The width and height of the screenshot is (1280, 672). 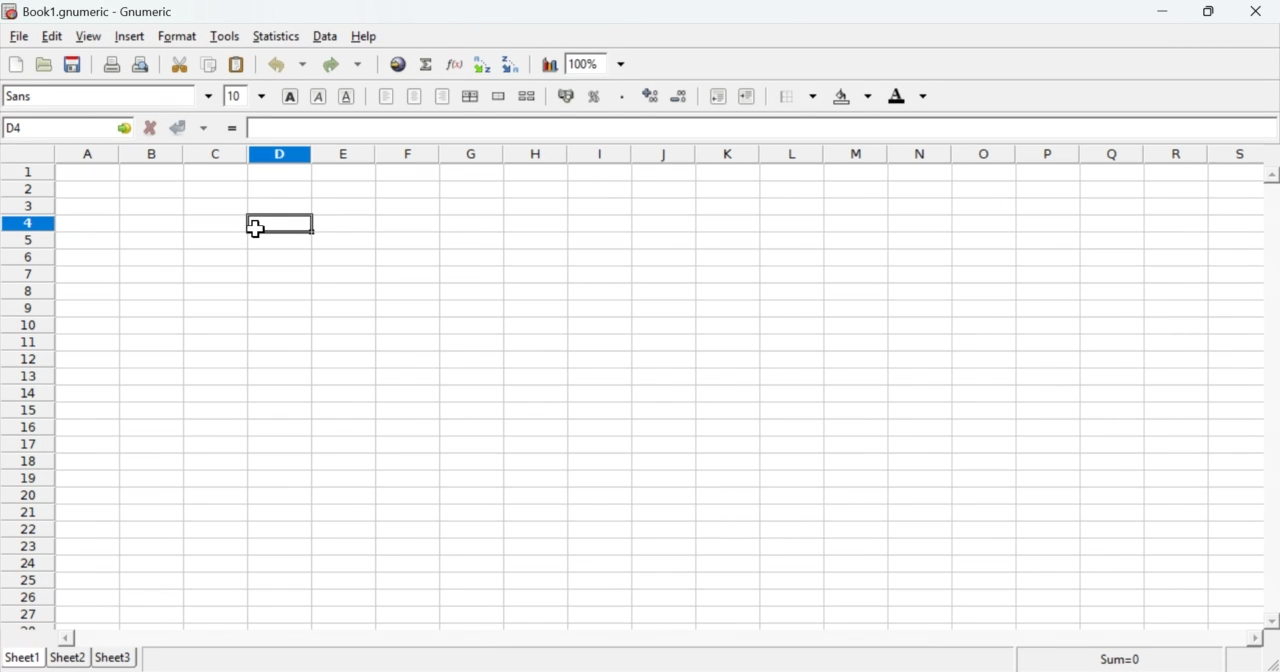 What do you see at coordinates (428, 65) in the screenshot?
I see `Sum` at bounding box center [428, 65].